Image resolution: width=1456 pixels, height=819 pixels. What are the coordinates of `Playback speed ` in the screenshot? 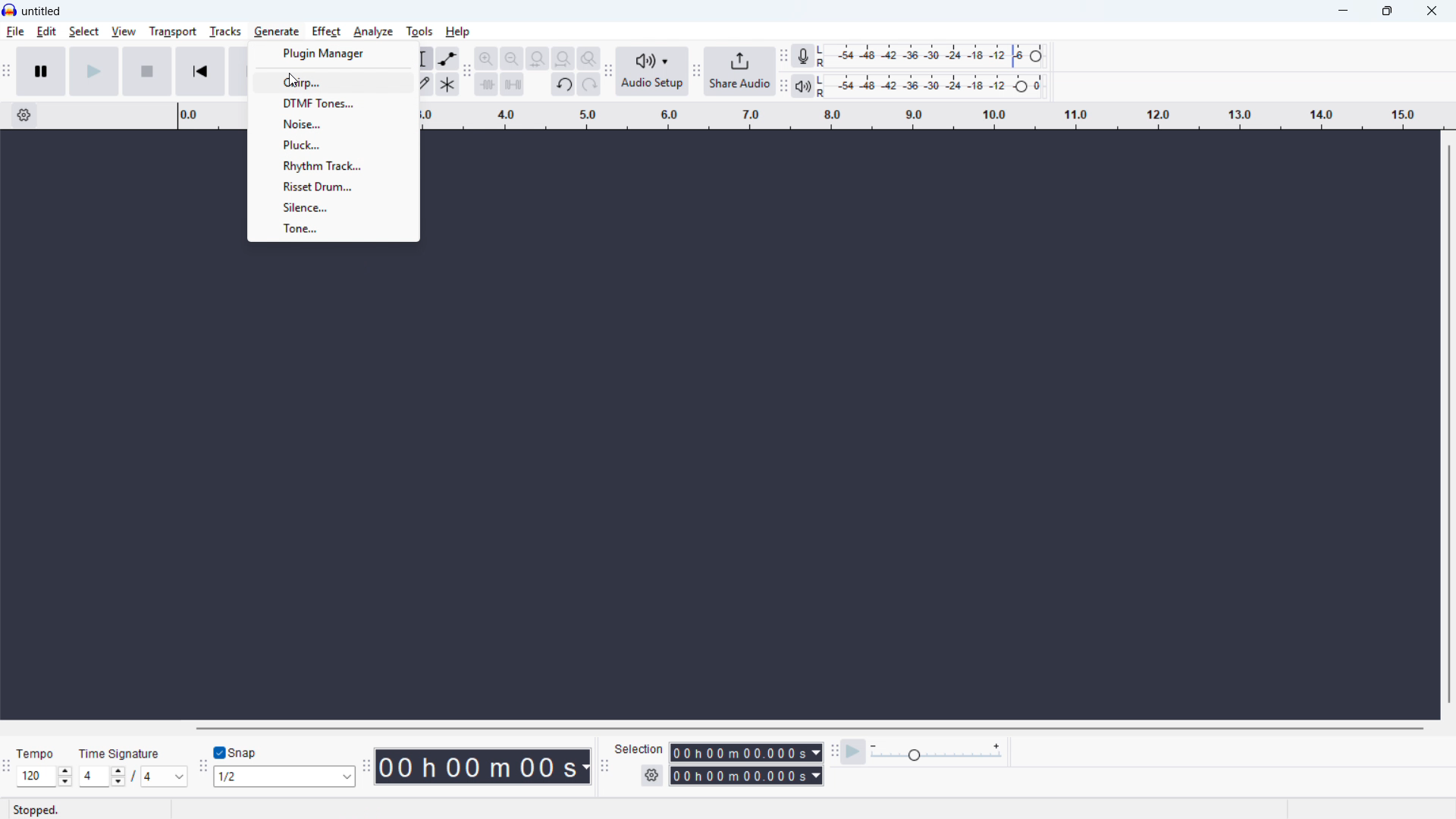 It's located at (937, 752).